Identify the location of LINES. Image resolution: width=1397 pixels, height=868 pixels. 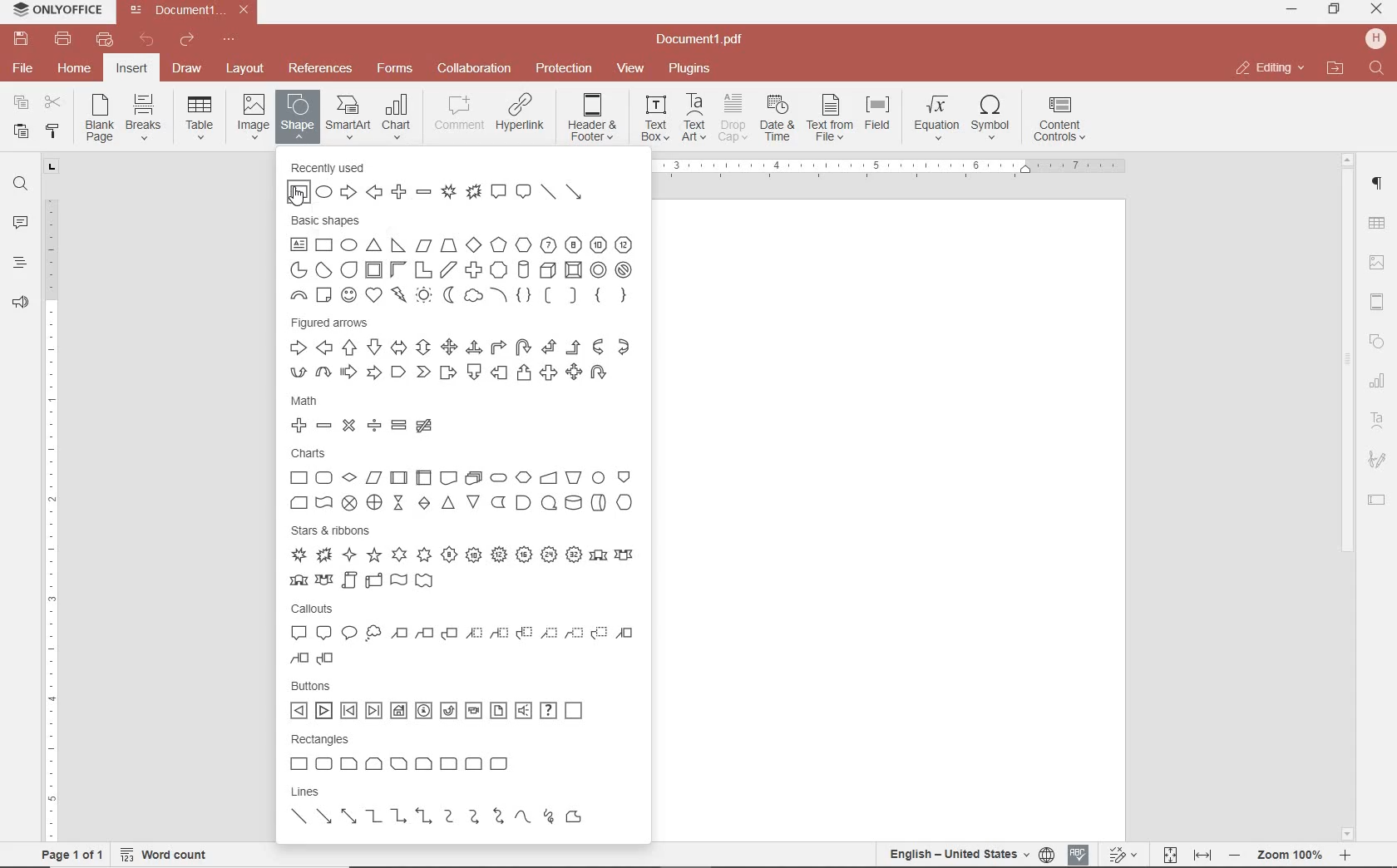
(464, 808).